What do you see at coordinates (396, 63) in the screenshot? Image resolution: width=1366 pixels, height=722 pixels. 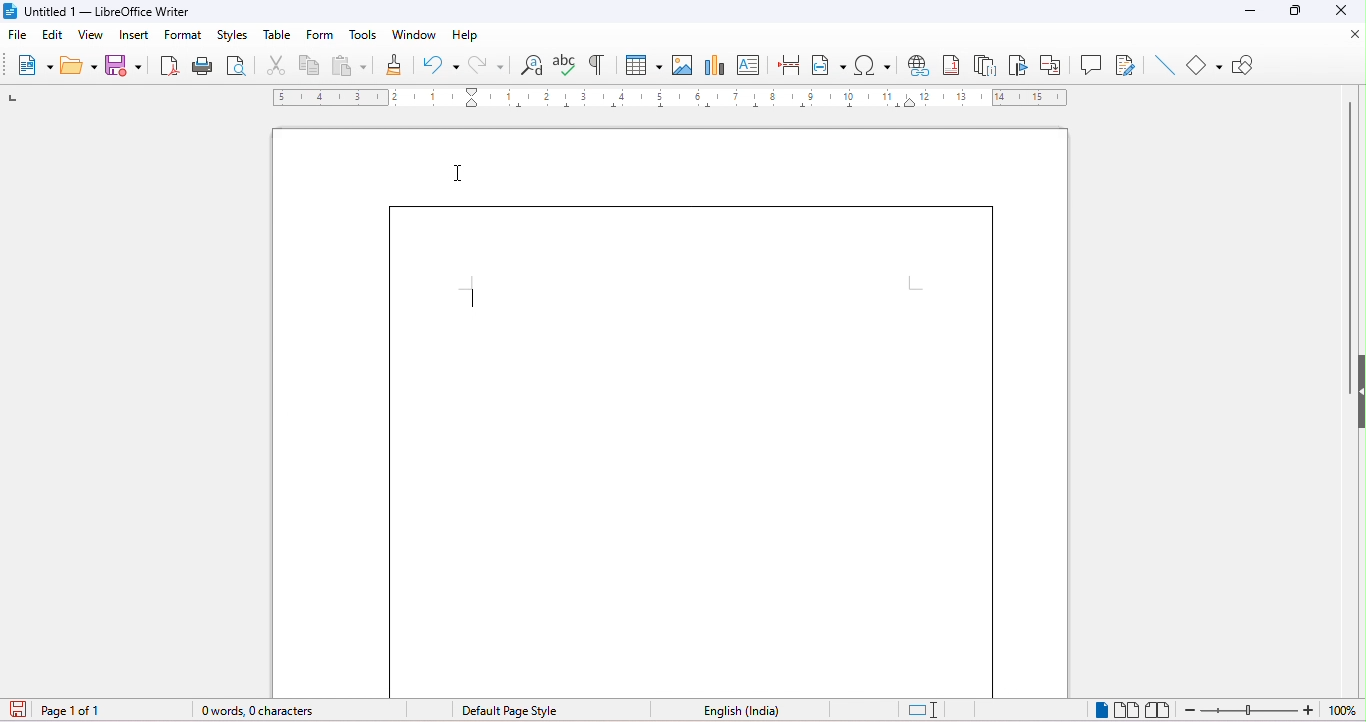 I see `clone formatting` at bounding box center [396, 63].